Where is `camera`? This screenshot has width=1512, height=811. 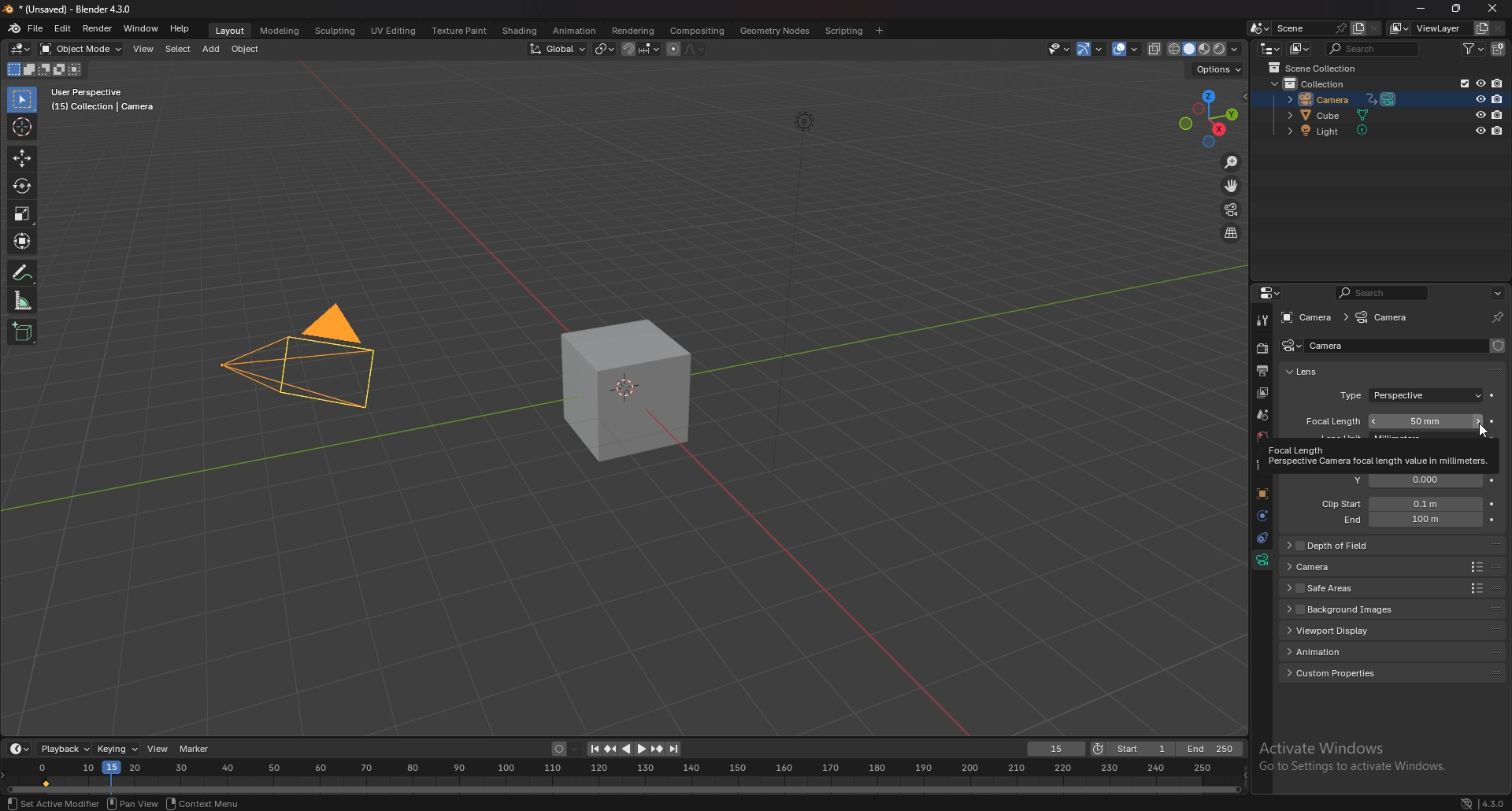 camera is located at coordinates (1385, 318).